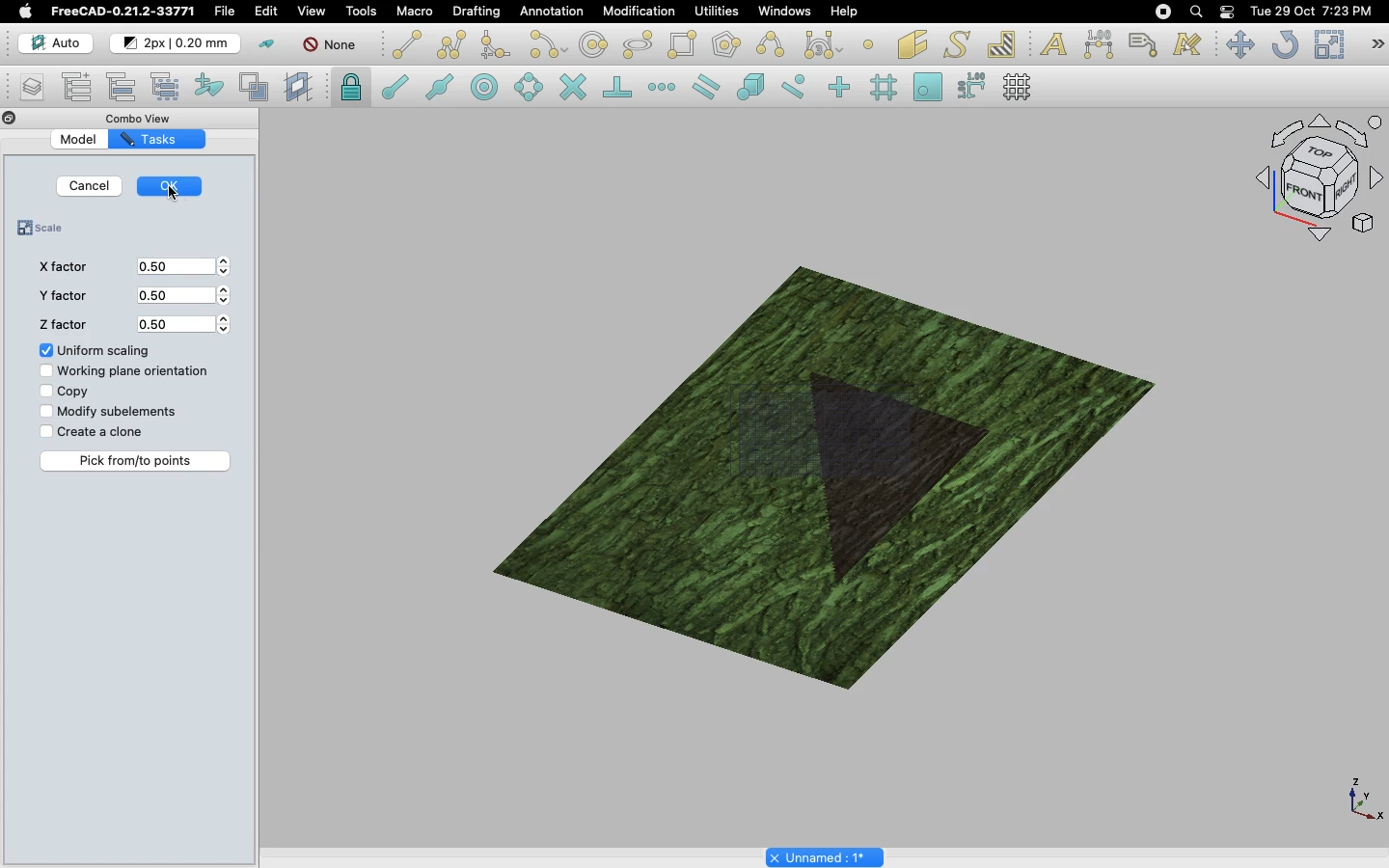 Image resolution: width=1389 pixels, height=868 pixels. What do you see at coordinates (925, 84) in the screenshot?
I see `Snap working plane` at bounding box center [925, 84].